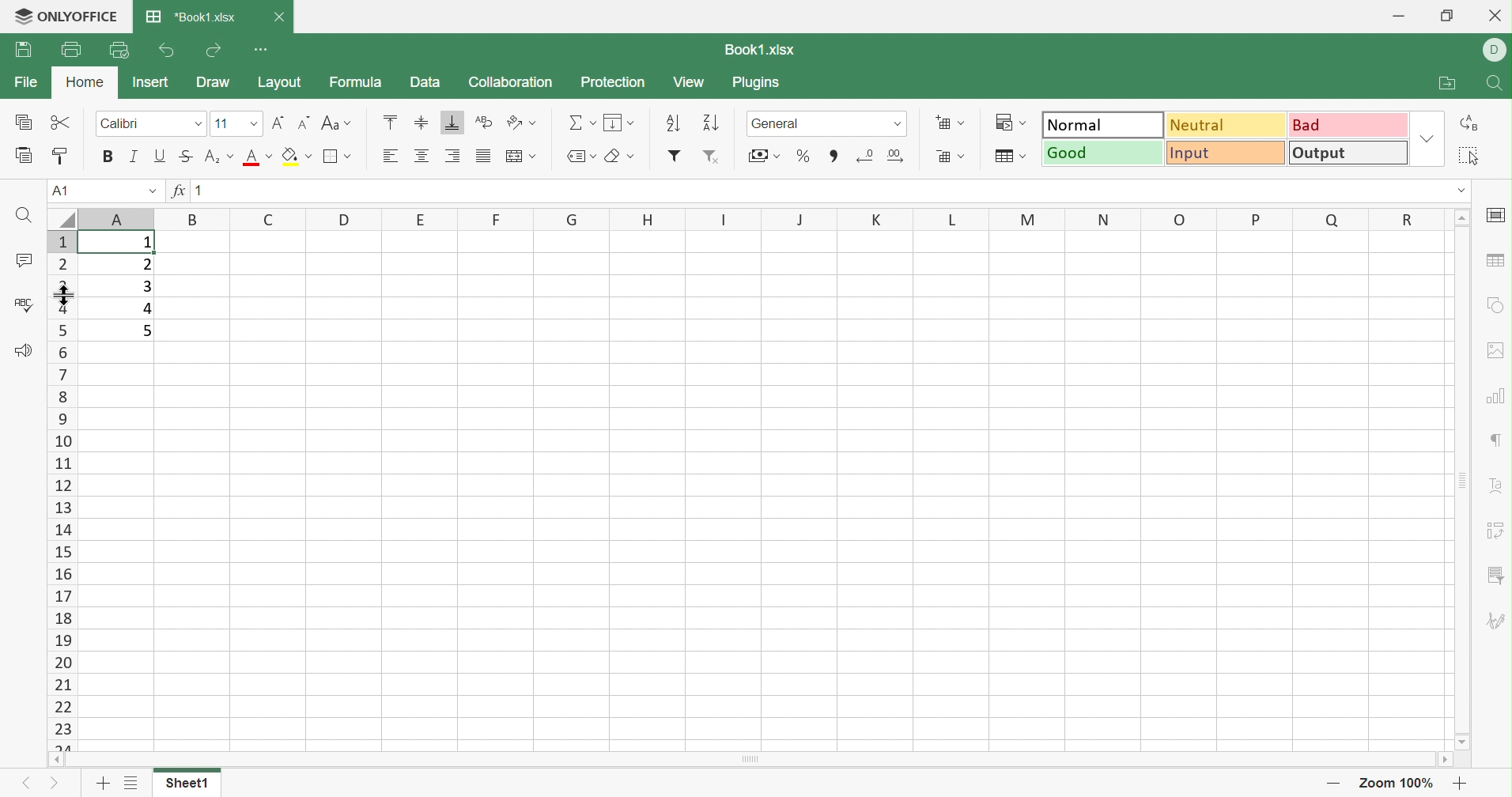  Describe the element at coordinates (514, 121) in the screenshot. I see `Orientation` at that location.